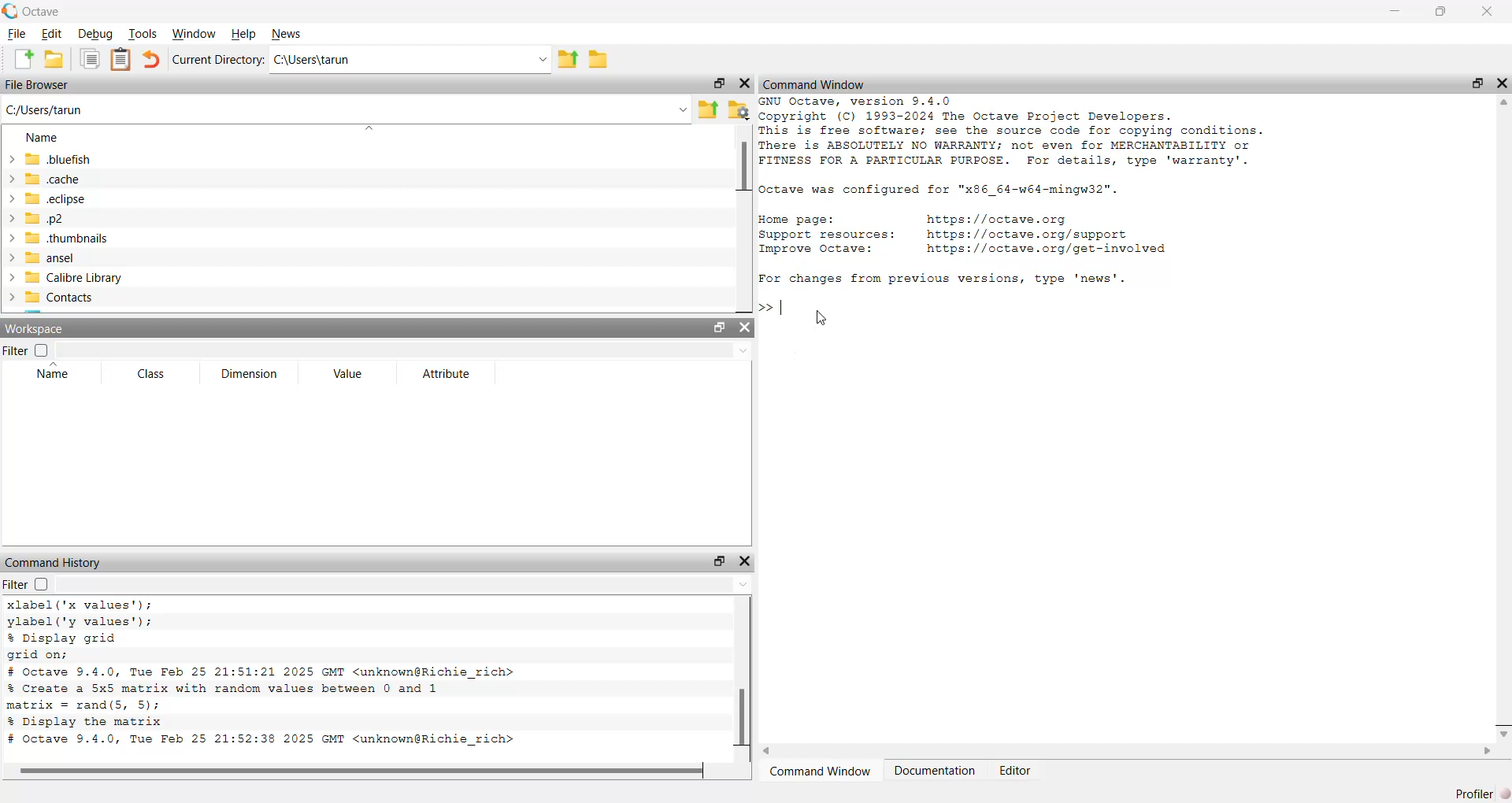  I want to click on maximise, so click(716, 84).